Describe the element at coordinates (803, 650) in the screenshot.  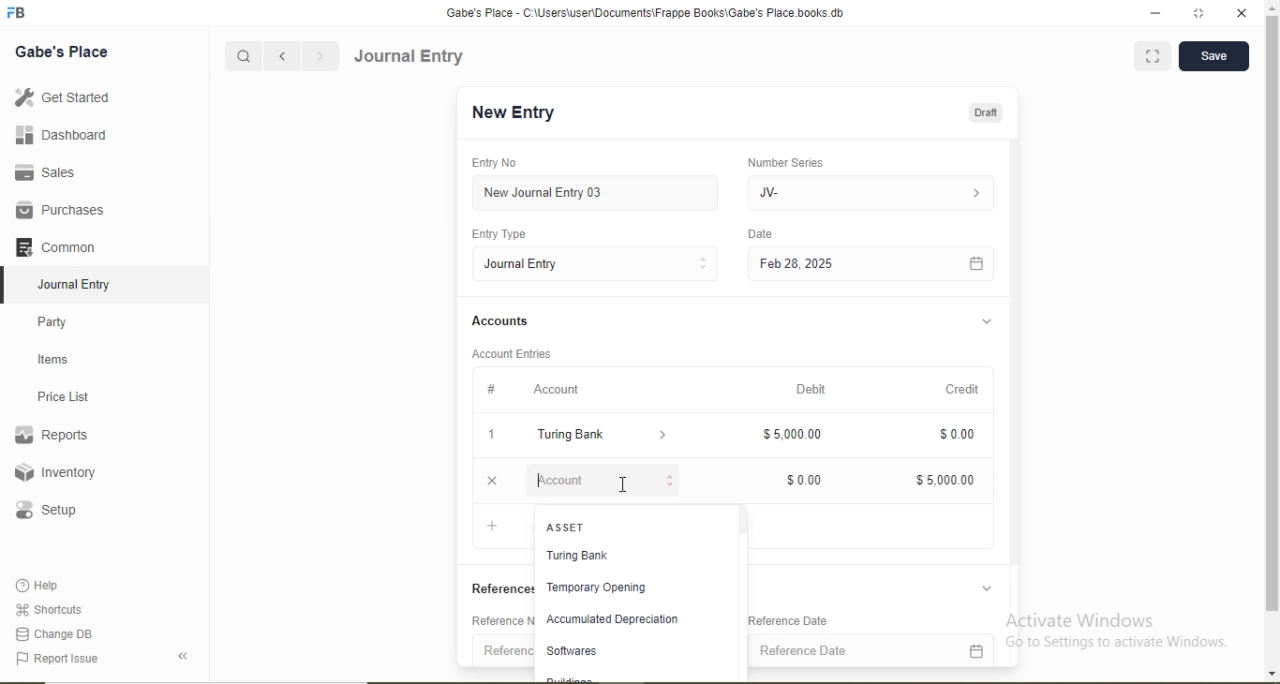
I see `Reference Date` at that location.